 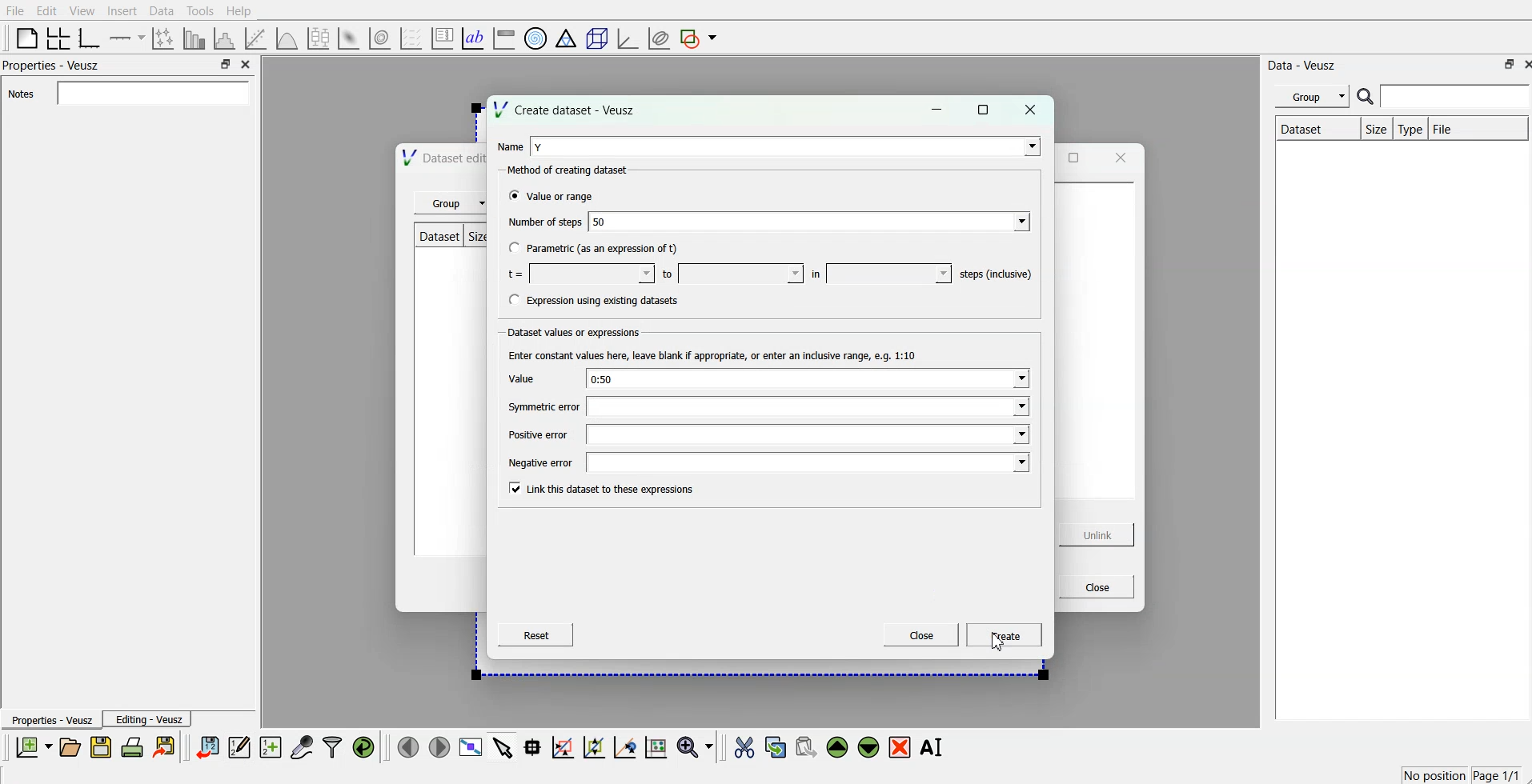 What do you see at coordinates (410, 36) in the screenshot?
I see `plot vector field` at bounding box center [410, 36].